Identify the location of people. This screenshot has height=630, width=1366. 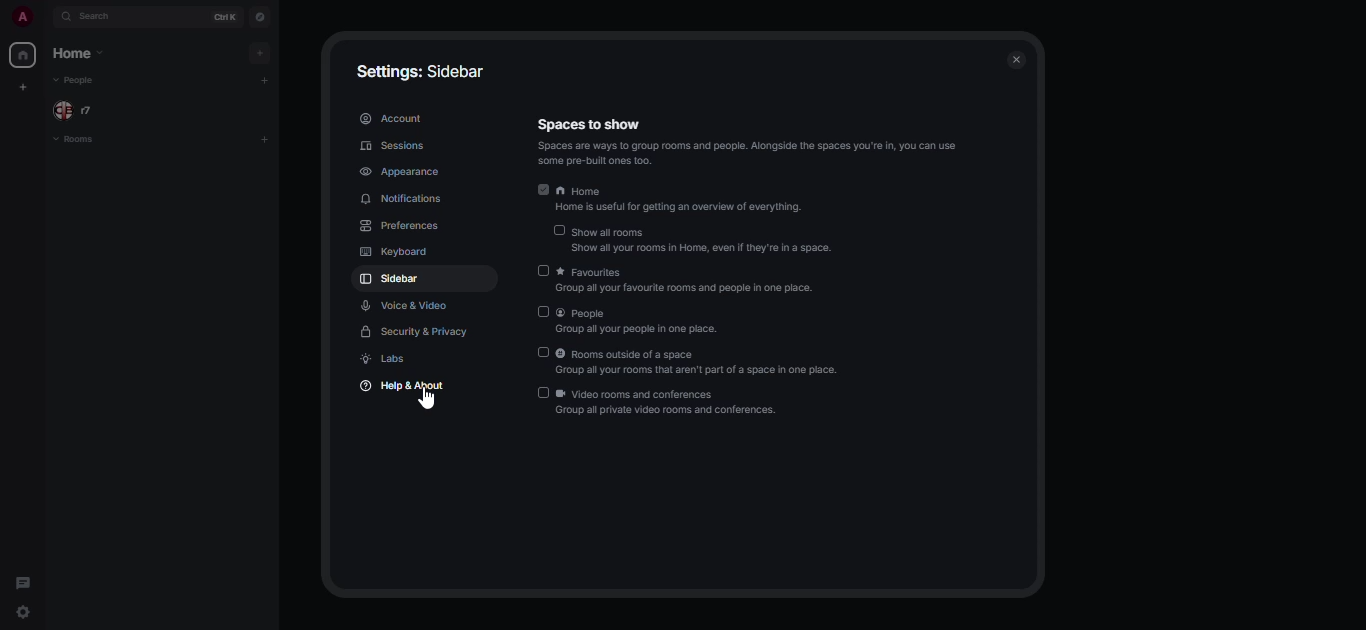
(74, 80).